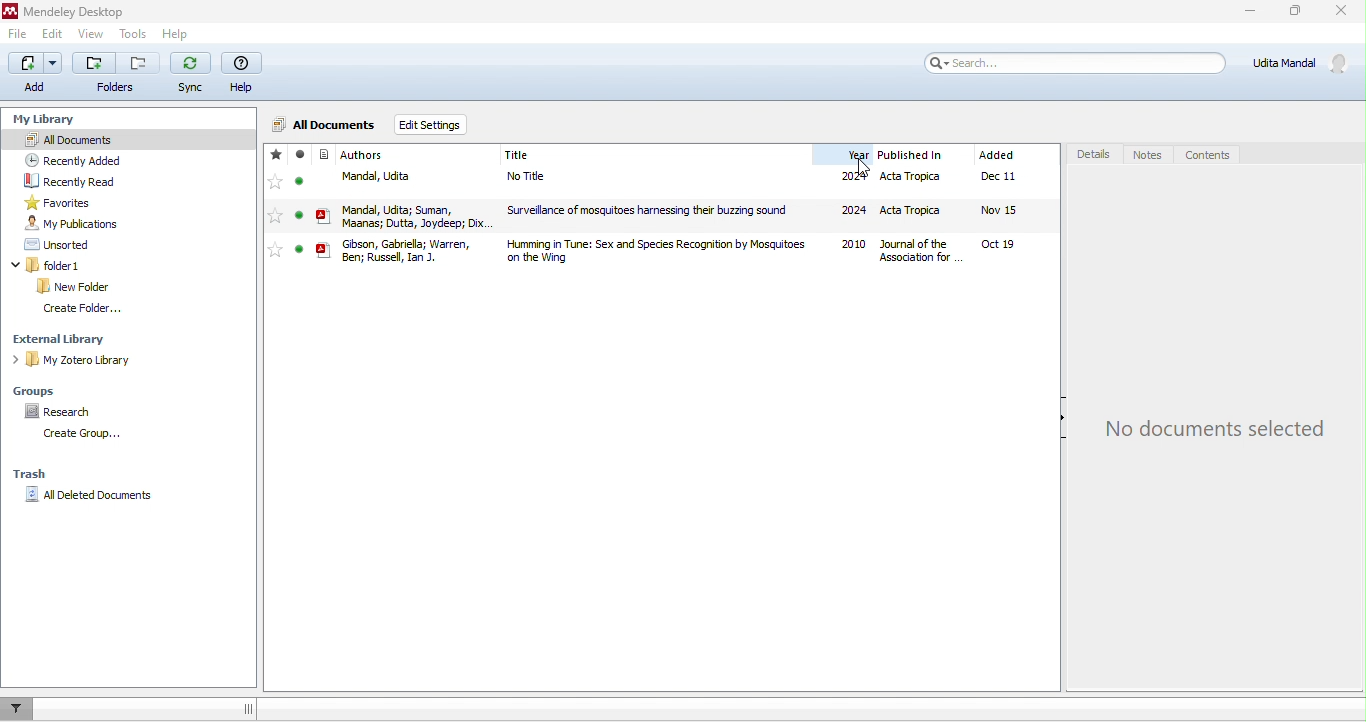 The image size is (1366, 722). I want to click on Mandal, Udita; Suman,
Maanas; Dutta, Joydeep; Dix., so click(415, 214).